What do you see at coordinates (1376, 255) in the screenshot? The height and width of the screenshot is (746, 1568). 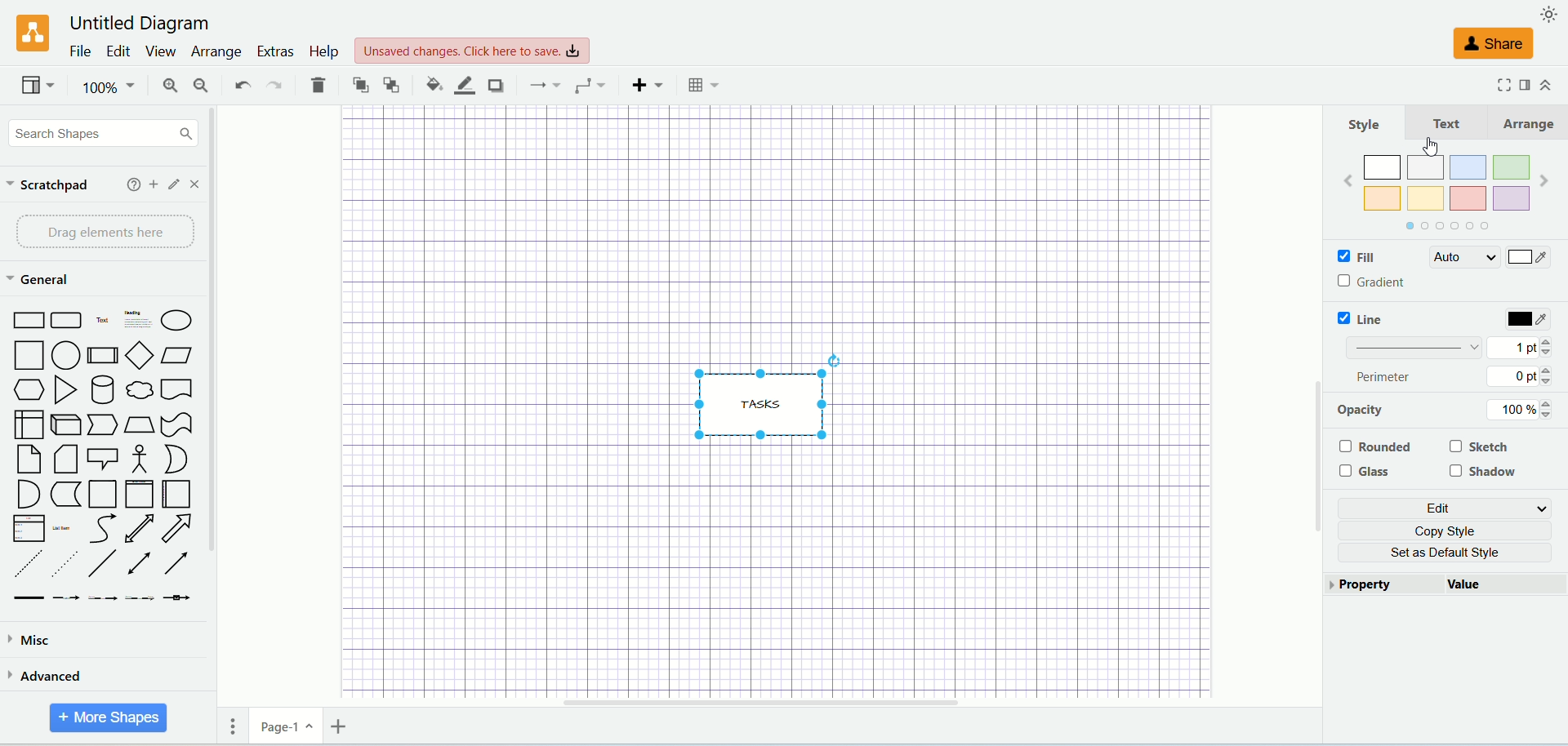 I see `fill` at bounding box center [1376, 255].